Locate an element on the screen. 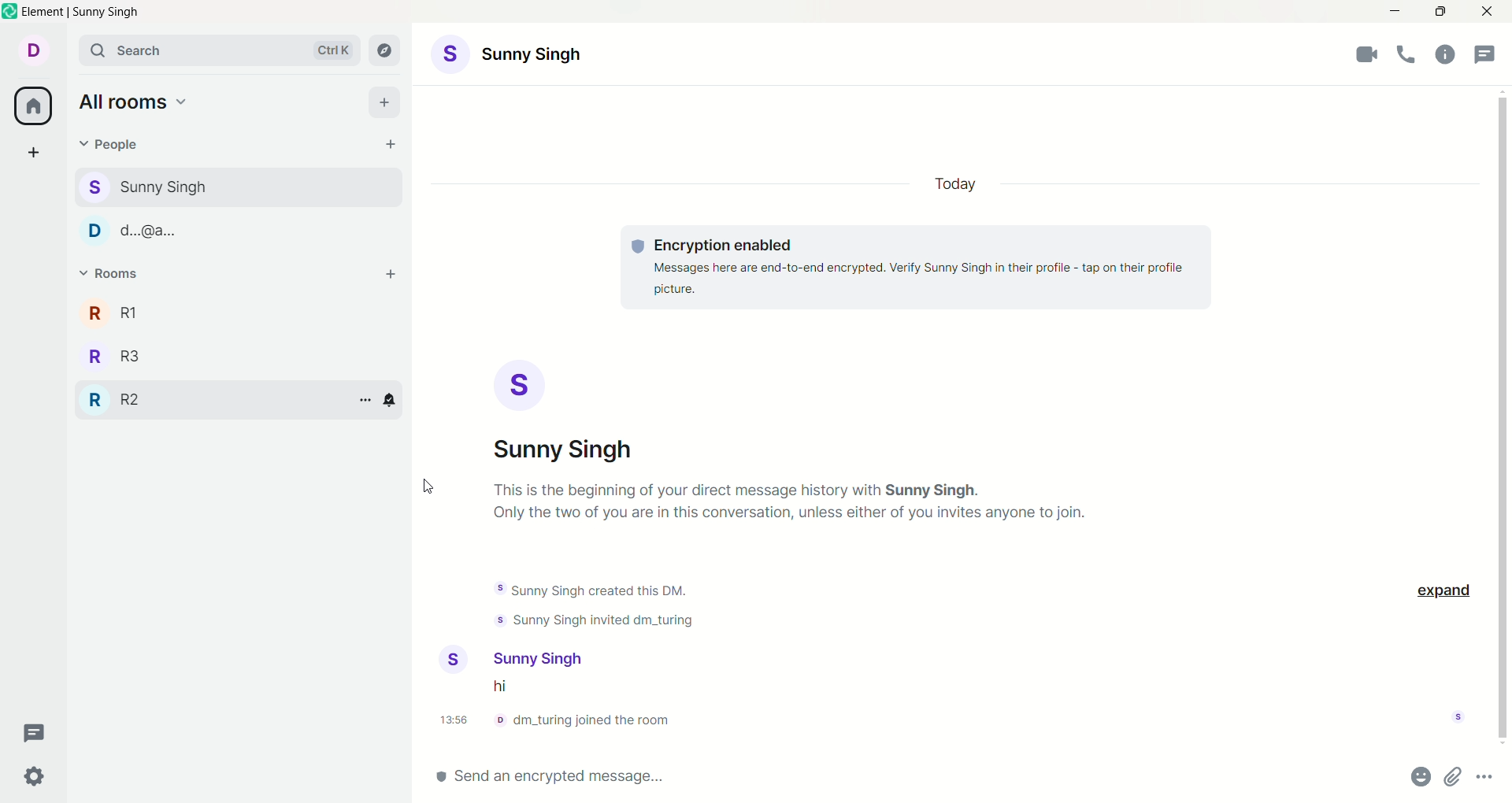 This screenshot has height=803, width=1512. s is located at coordinates (157, 187).